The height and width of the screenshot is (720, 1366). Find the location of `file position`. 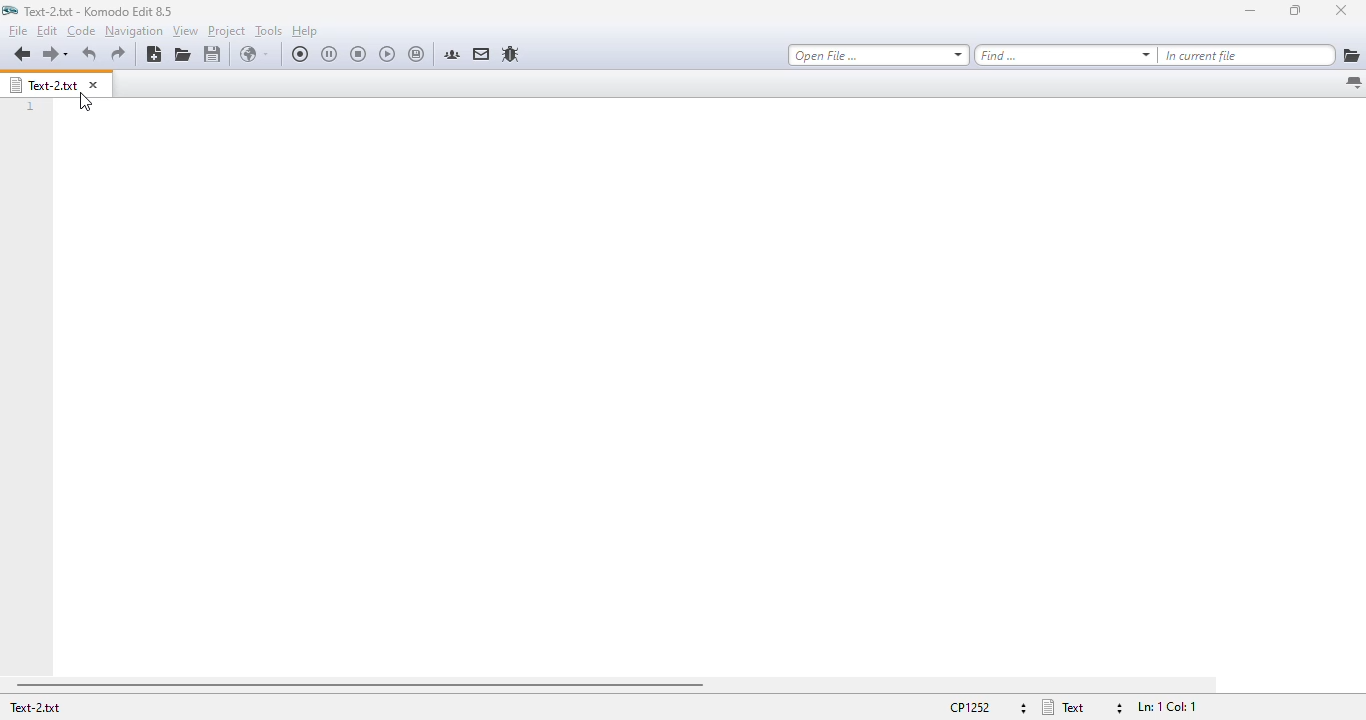

file position is located at coordinates (1165, 707).